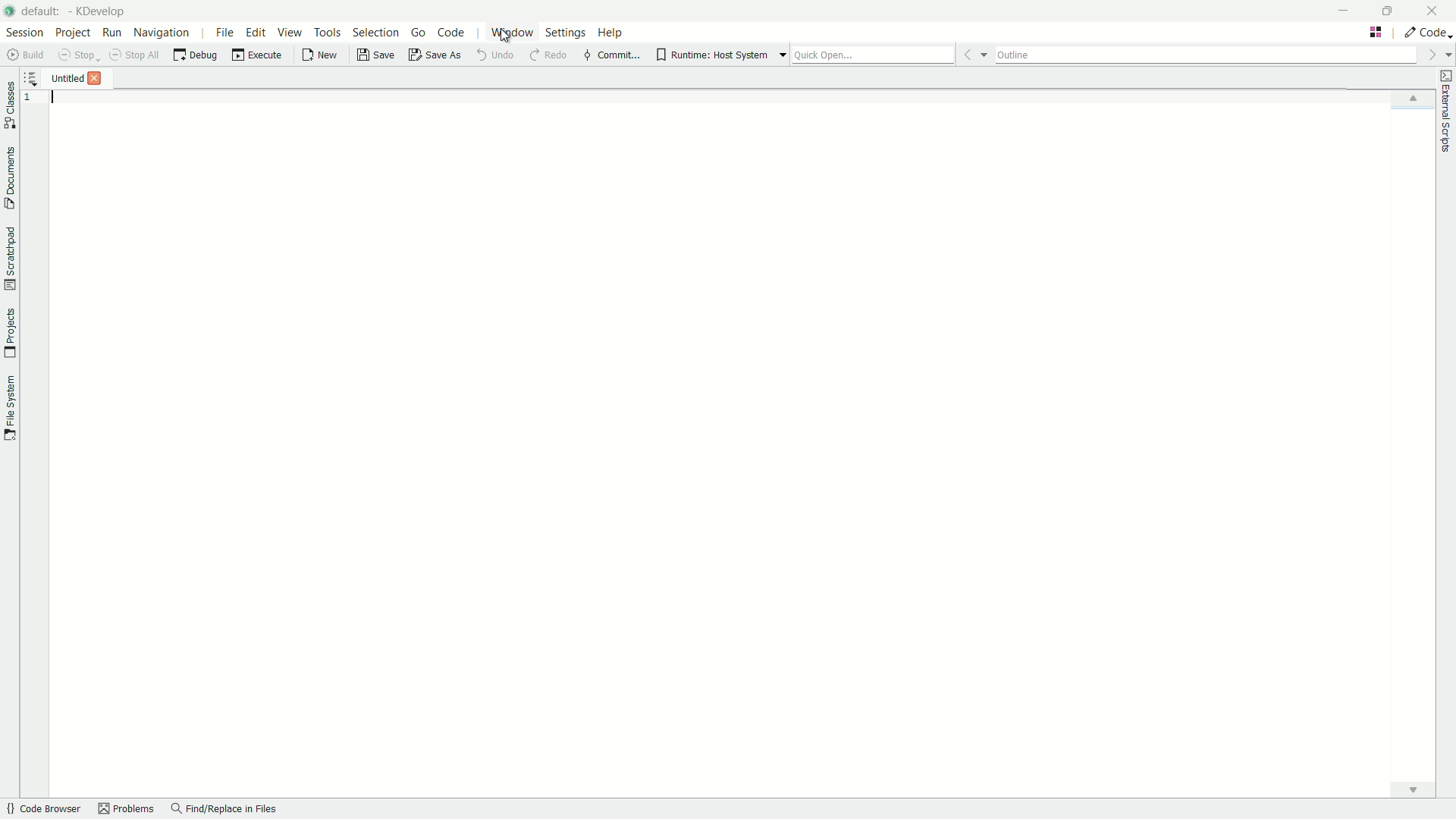 The height and width of the screenshot is (819, 1456). I want to click on build, so click(27, 55).